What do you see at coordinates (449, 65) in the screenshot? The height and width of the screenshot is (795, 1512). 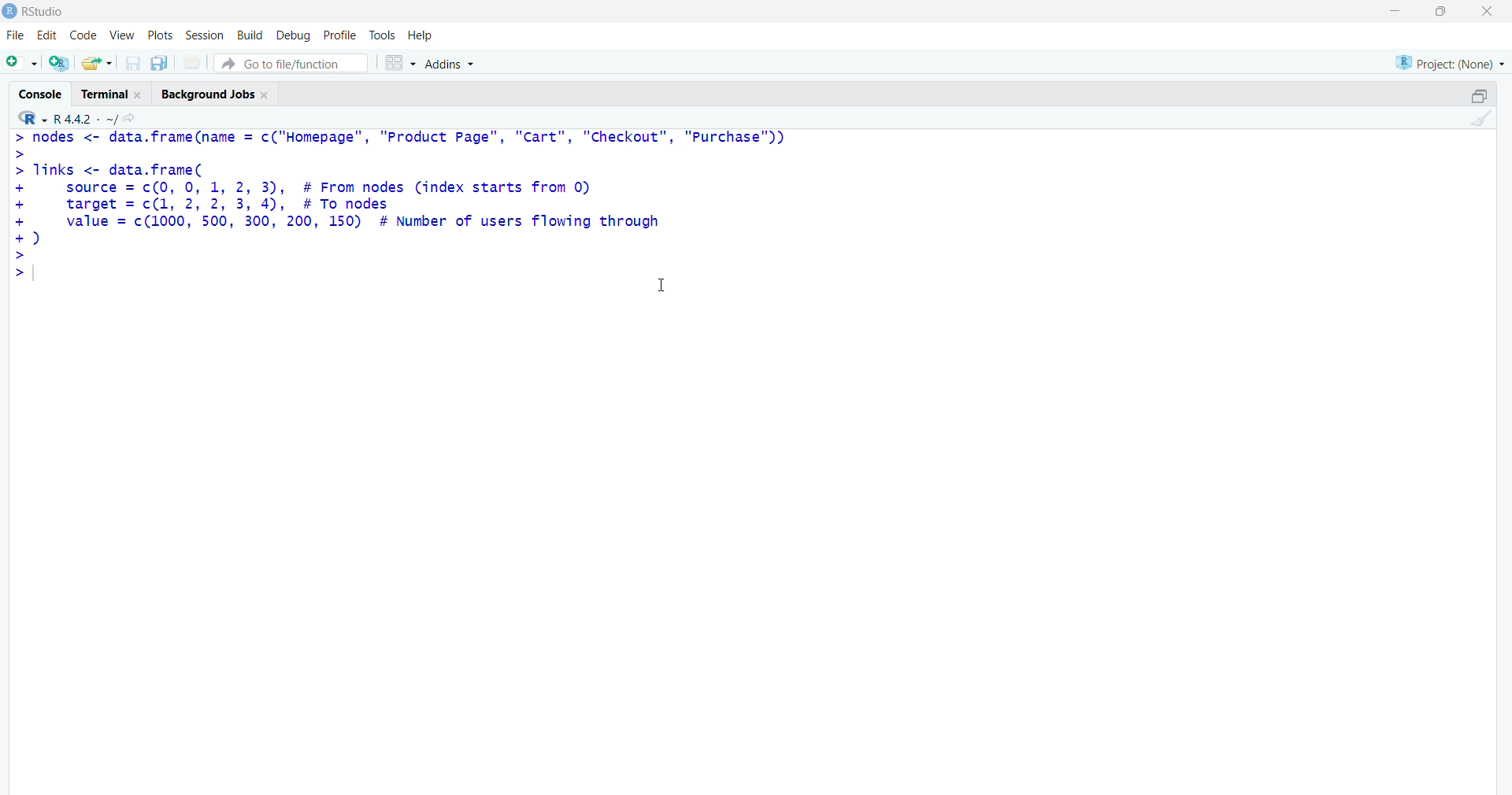 I see `Addins` at bounding box center [449, 65].